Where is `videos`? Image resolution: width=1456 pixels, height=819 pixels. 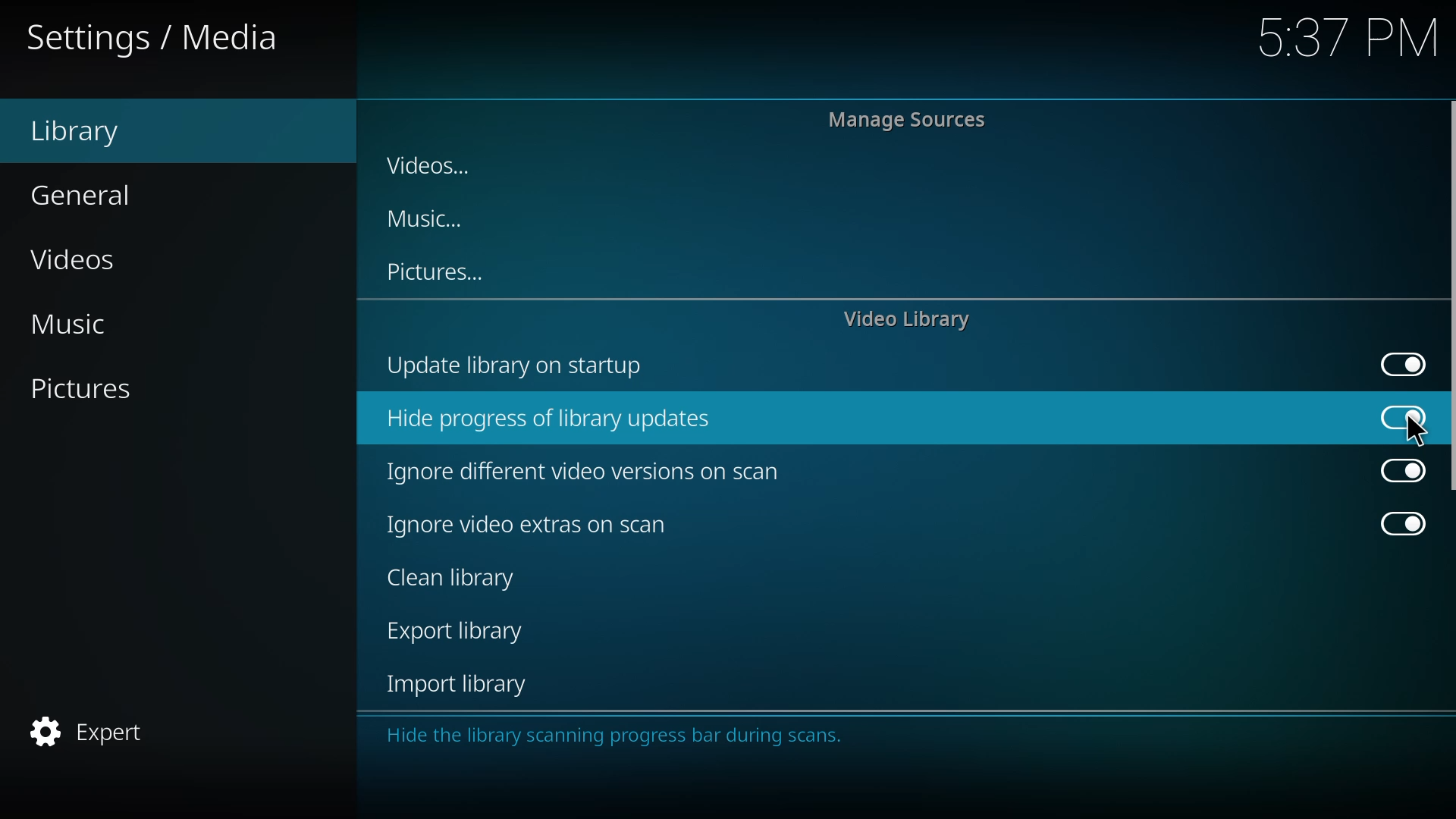
videos is located at coordinates (91, 256).